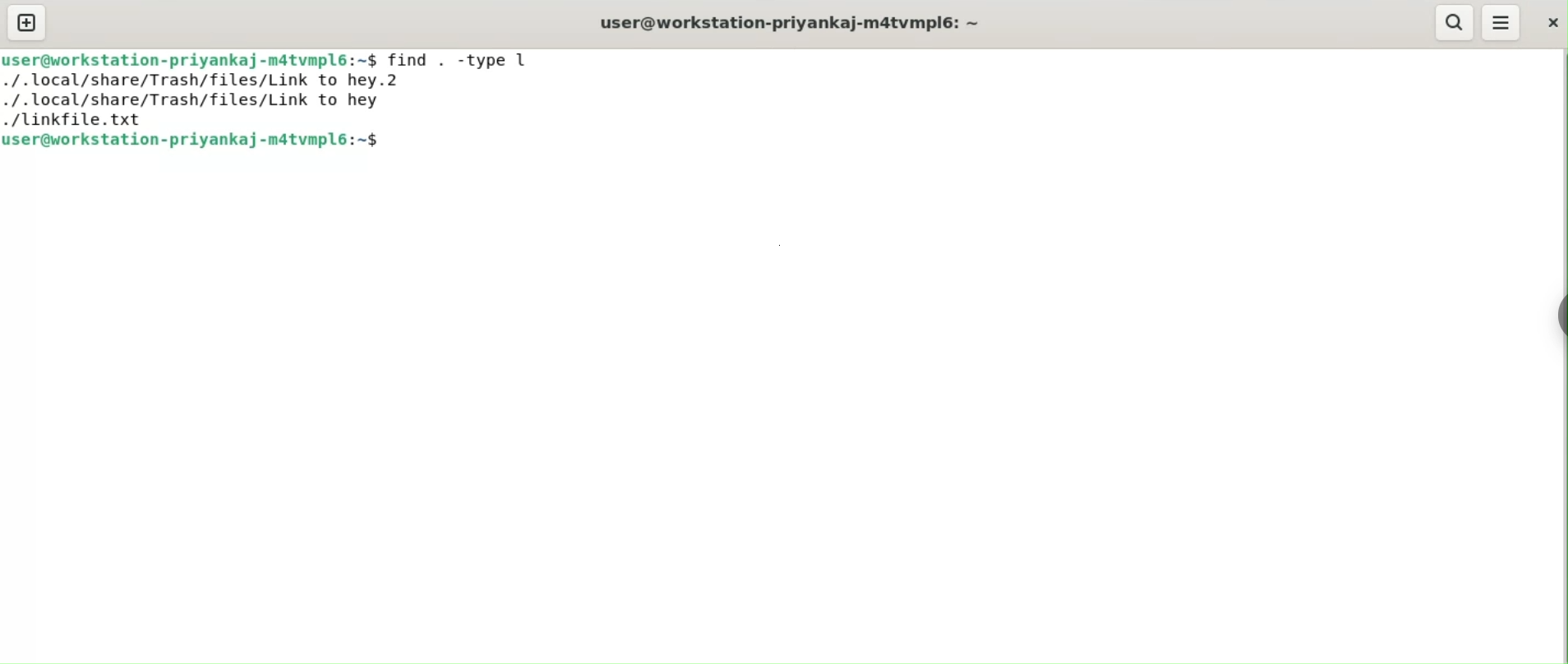 The width and height of the screenshot is (1568, 664). What do you see at coordinates (202, 140) in the screenshot?
I see ` user@workstation-priyankaj-m4tvmpl6: ~$` at bounding box center [202, 140].